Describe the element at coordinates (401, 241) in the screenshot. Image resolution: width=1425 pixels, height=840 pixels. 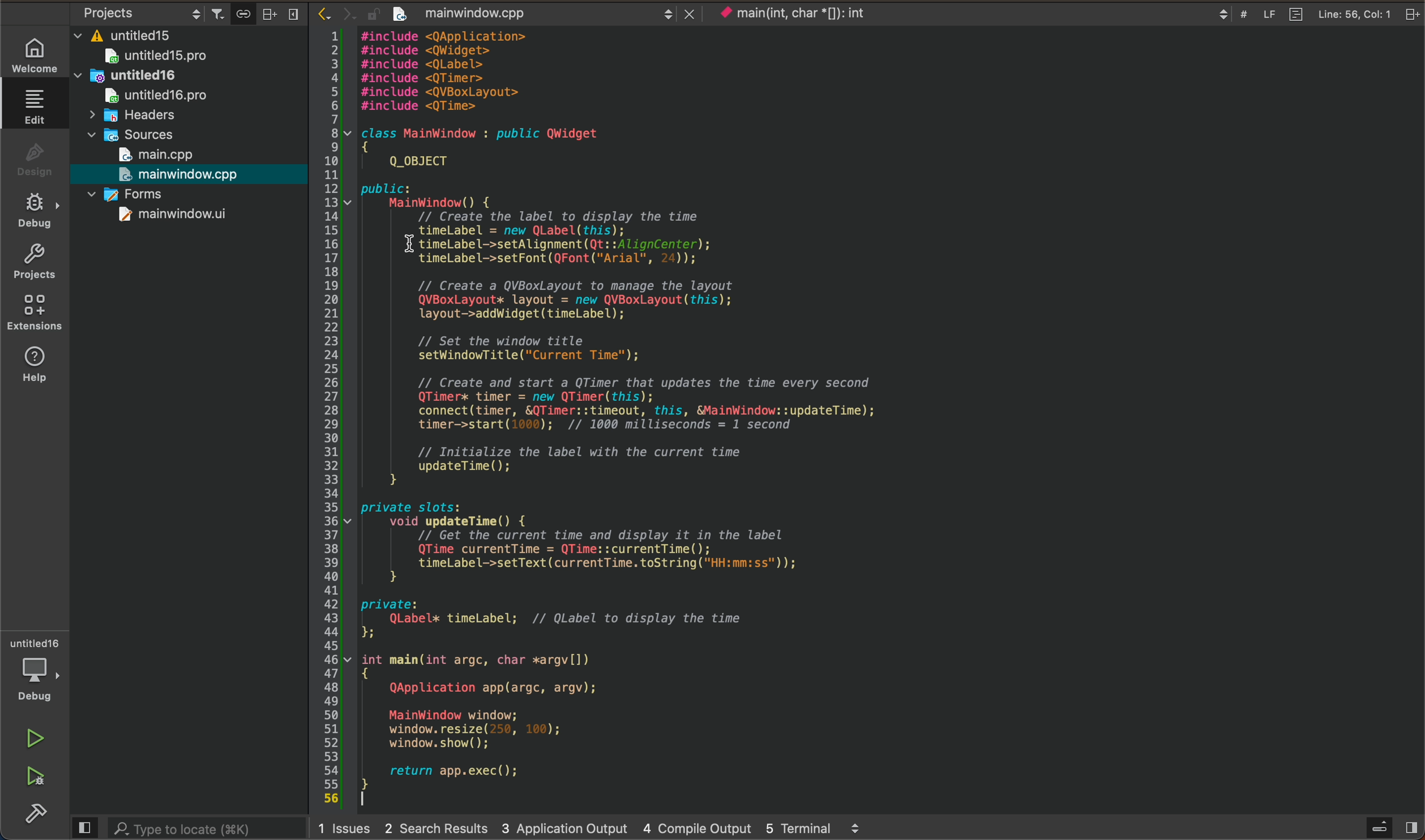
I see `Cursor` at that location.